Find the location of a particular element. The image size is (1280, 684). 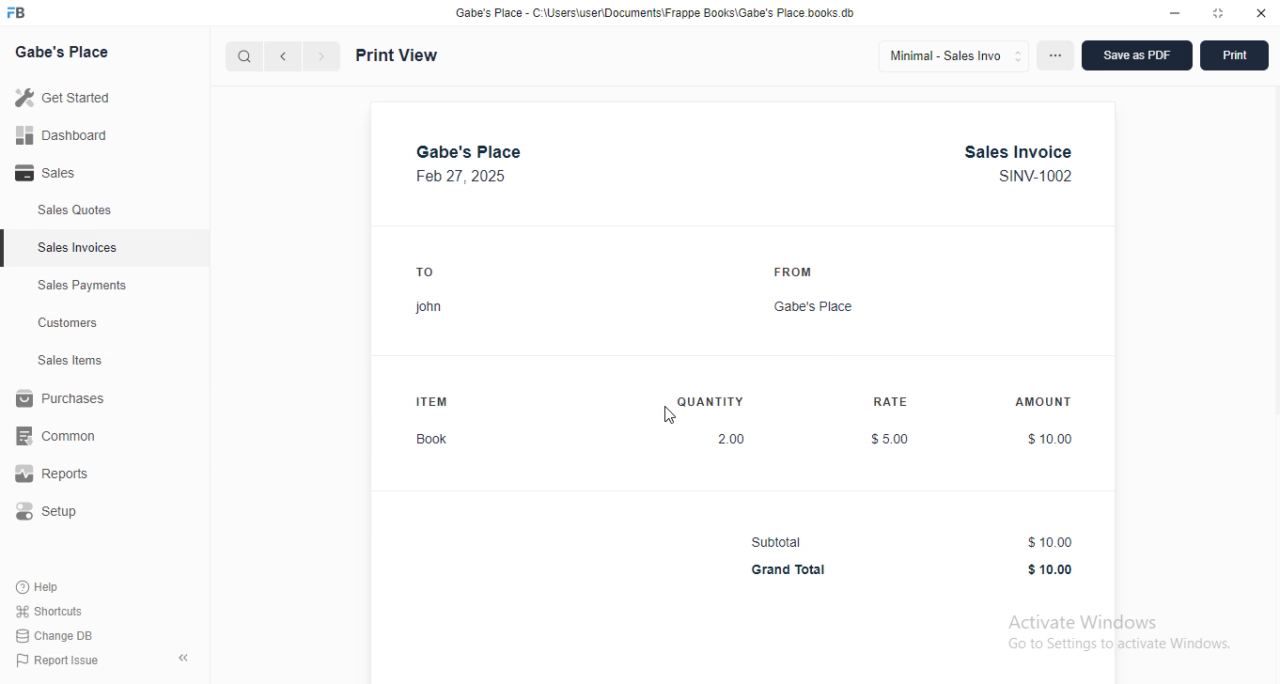

report issue is located at coordinates (57, 660).